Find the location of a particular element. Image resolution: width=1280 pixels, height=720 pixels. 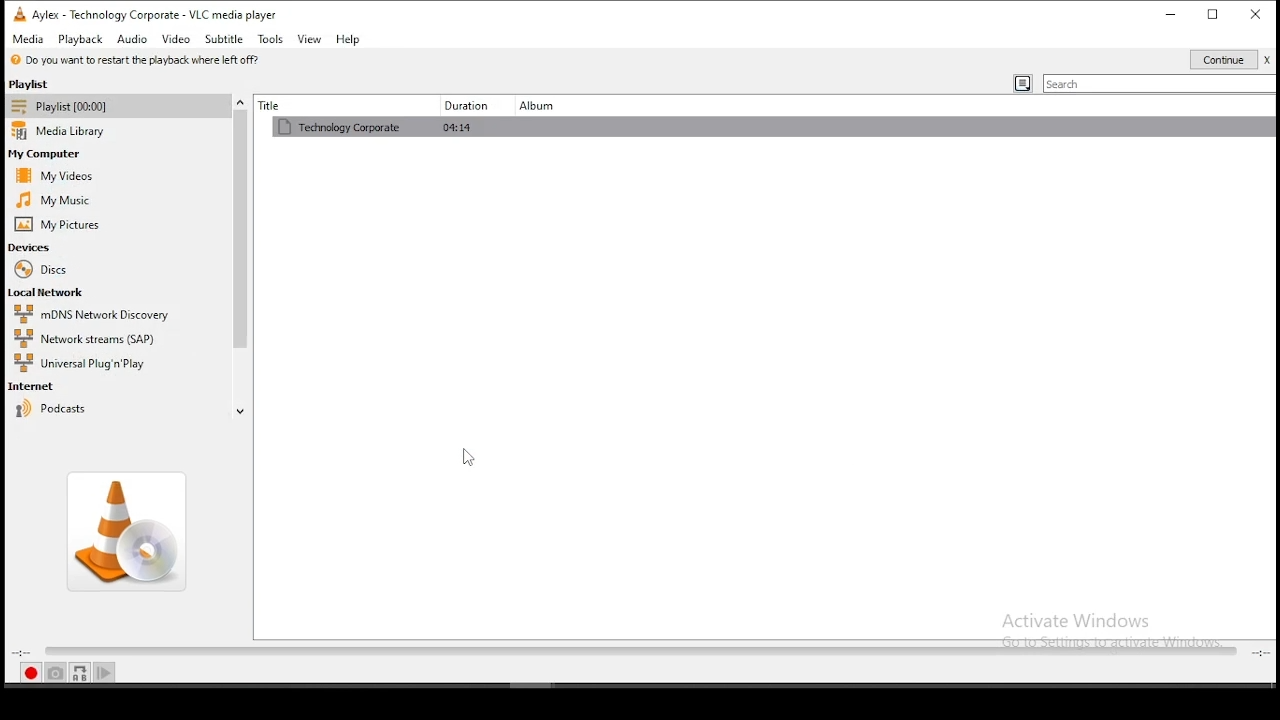

my videos is located at coordinates (58, 175).